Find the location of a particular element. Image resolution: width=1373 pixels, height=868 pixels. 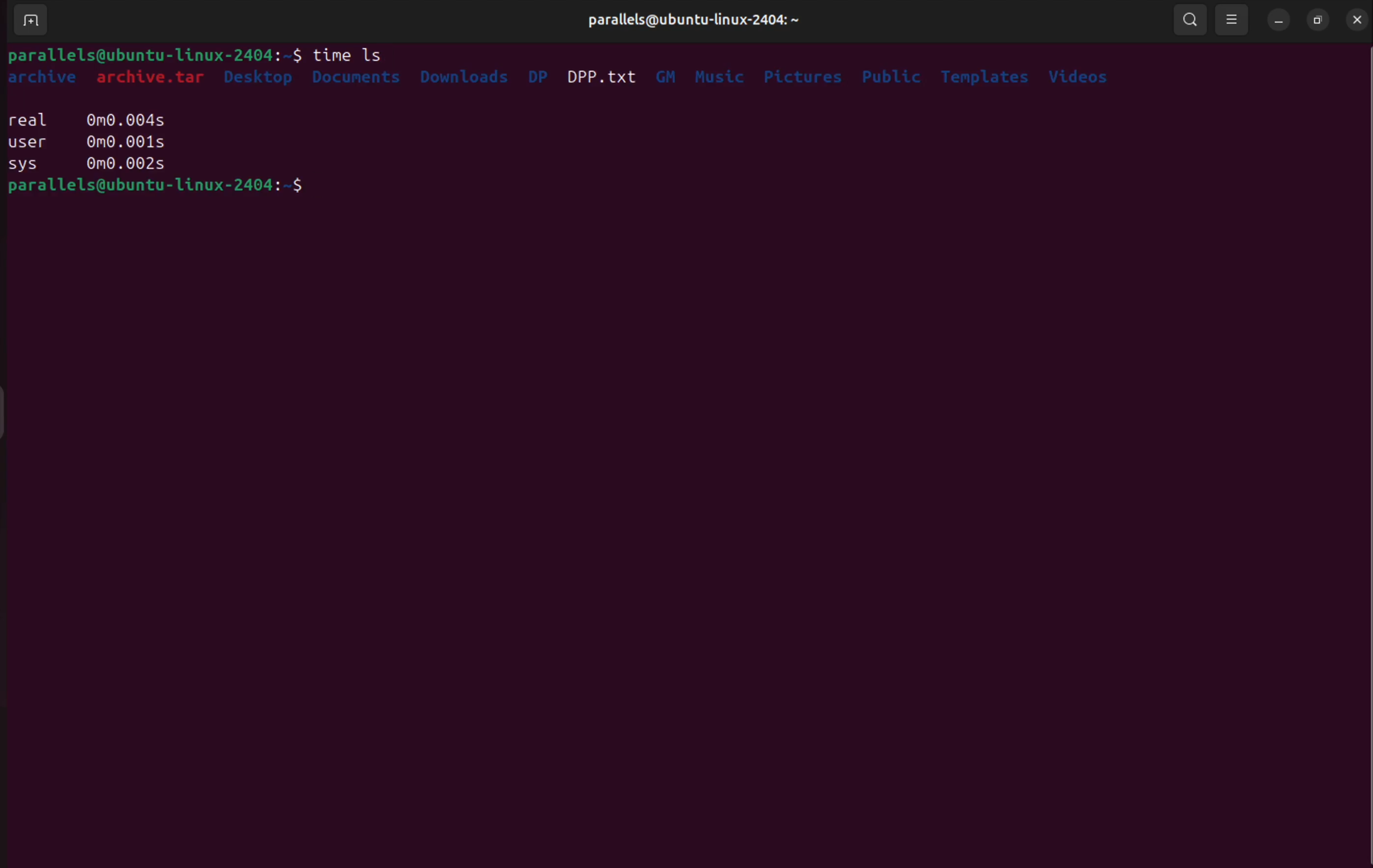

user is located at coordinates (25, 142).